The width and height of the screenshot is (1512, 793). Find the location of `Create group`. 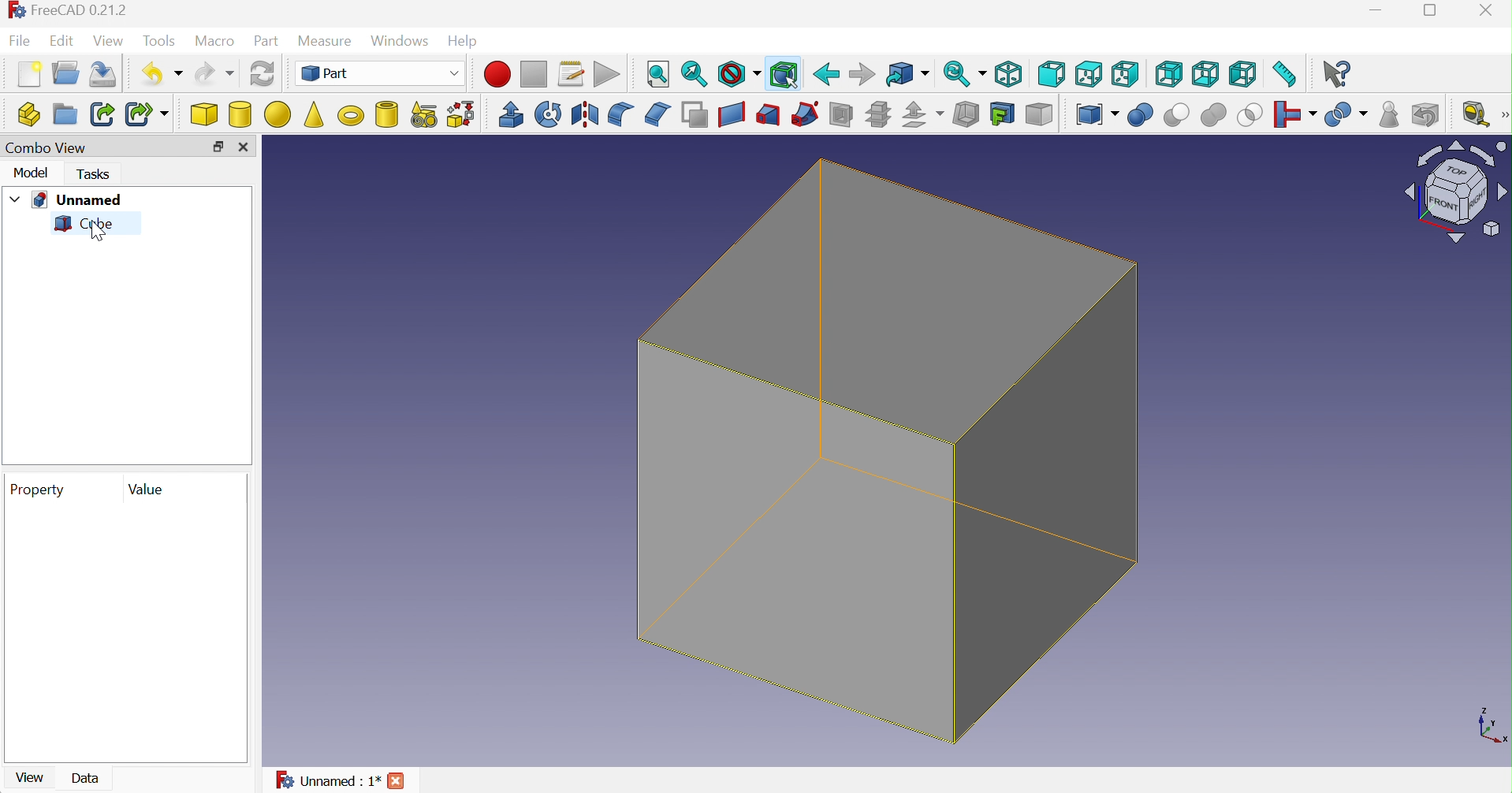

Create group is located at coordinates (67, 112).